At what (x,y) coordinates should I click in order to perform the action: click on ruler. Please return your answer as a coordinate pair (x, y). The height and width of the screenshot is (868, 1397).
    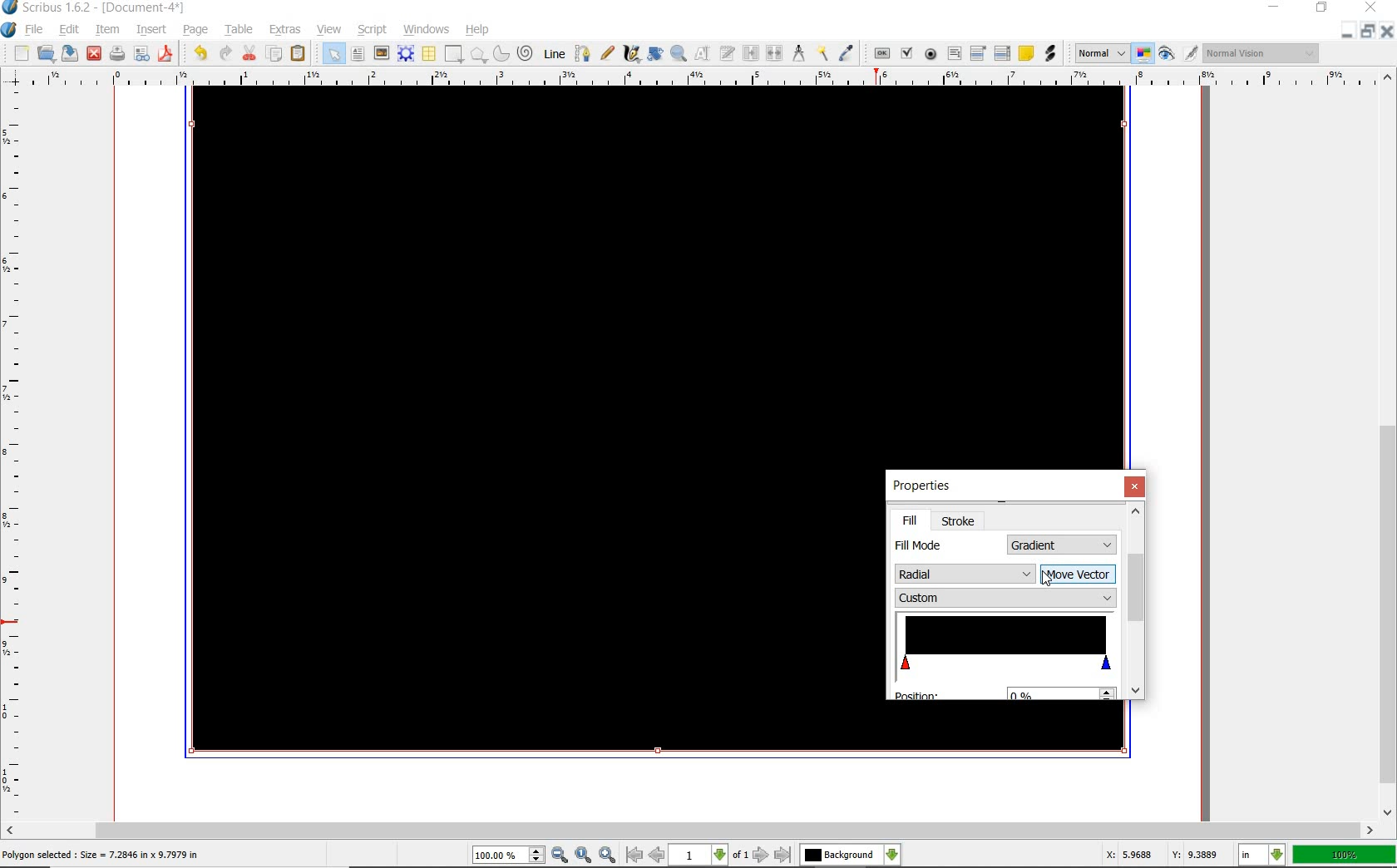
    Looking at the image, I should click on (15, 457).